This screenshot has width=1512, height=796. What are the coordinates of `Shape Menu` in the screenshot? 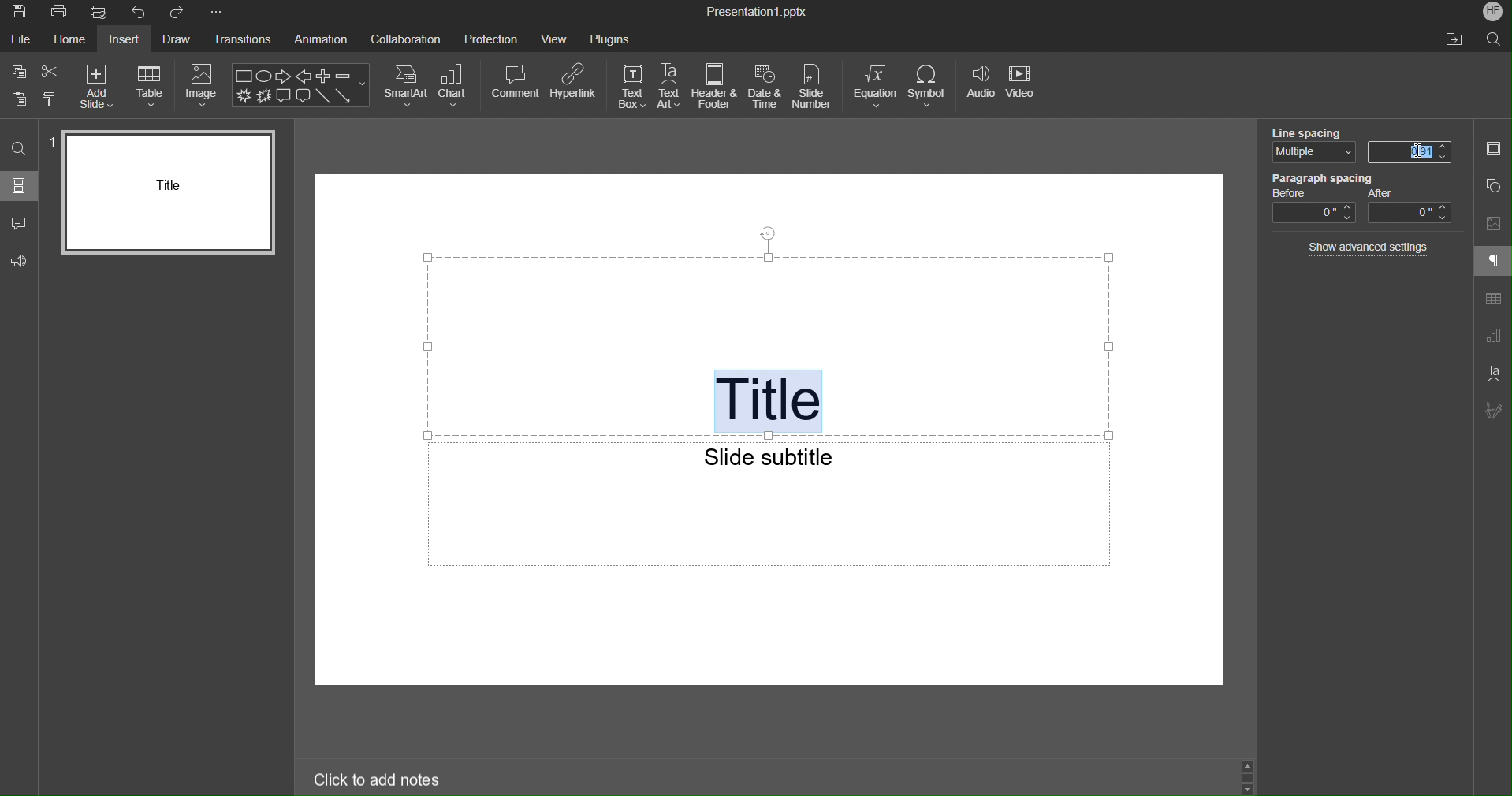 It's located at (302, 85).